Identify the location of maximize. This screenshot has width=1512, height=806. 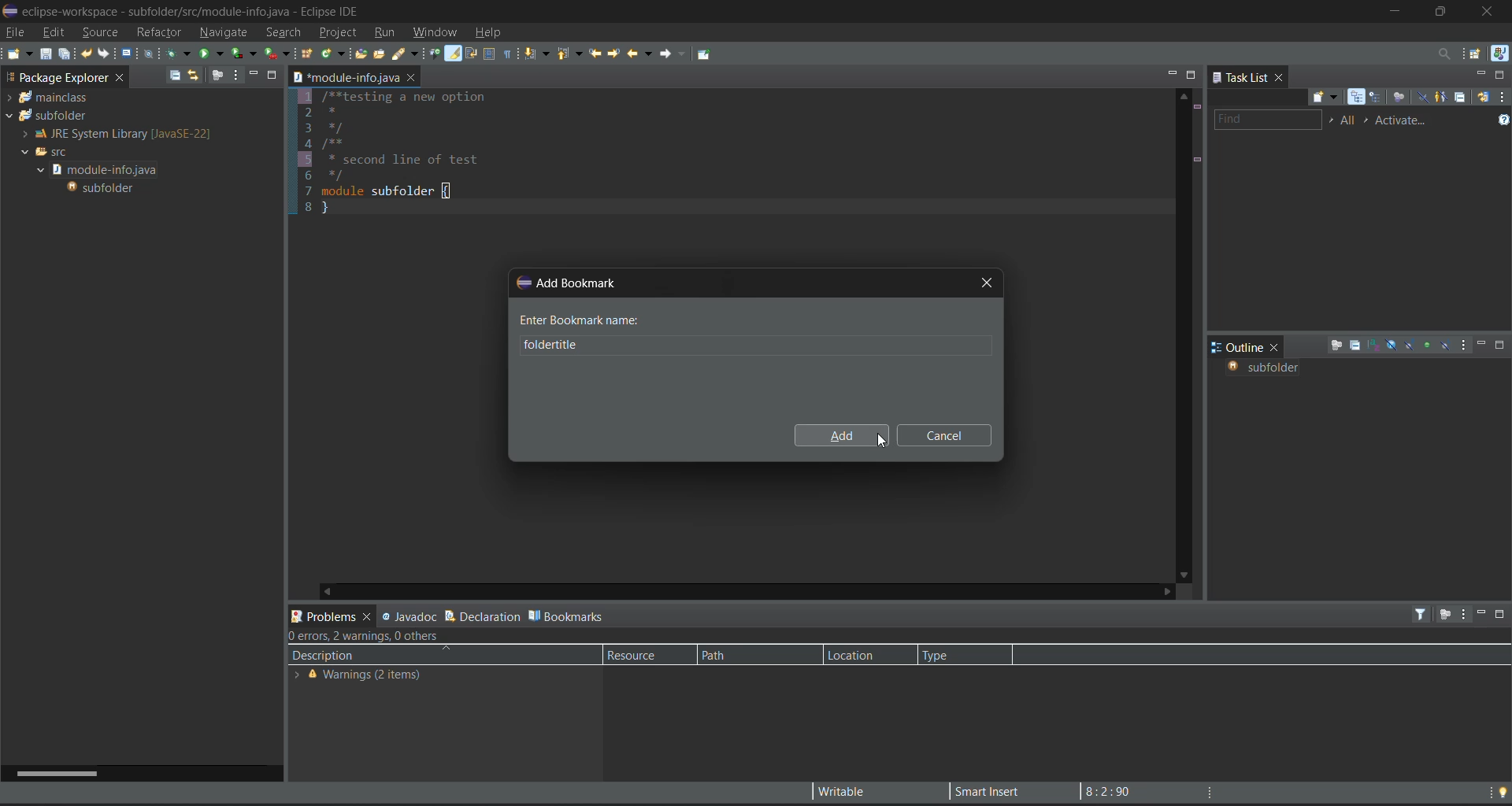
(1501, 75).